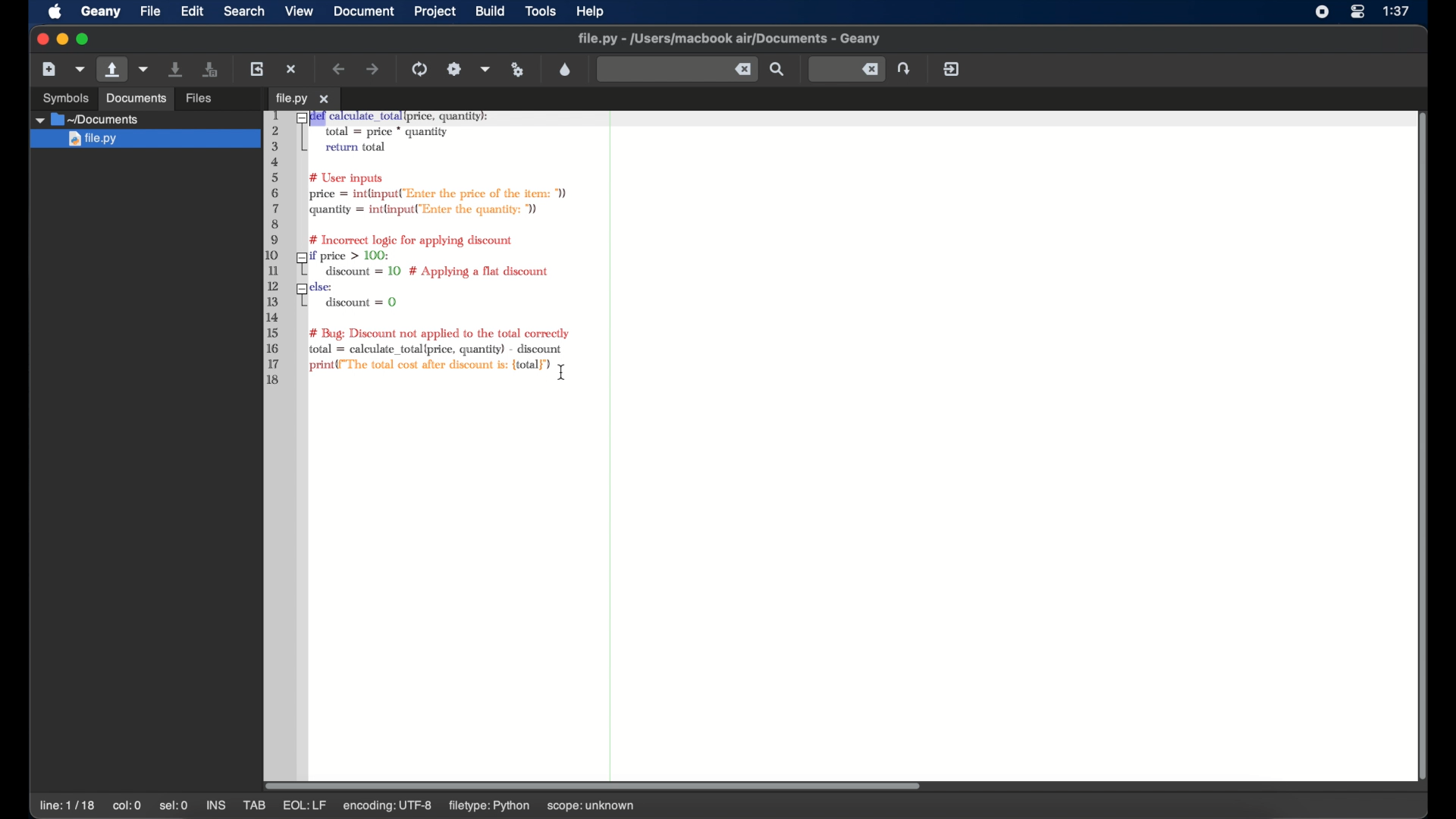 The height and width of the screenshot is (819, 1456). What do you see at coordinates (340, 69) in the screenshot?
I see `navigate back a location` at bounding box center [340, 69].